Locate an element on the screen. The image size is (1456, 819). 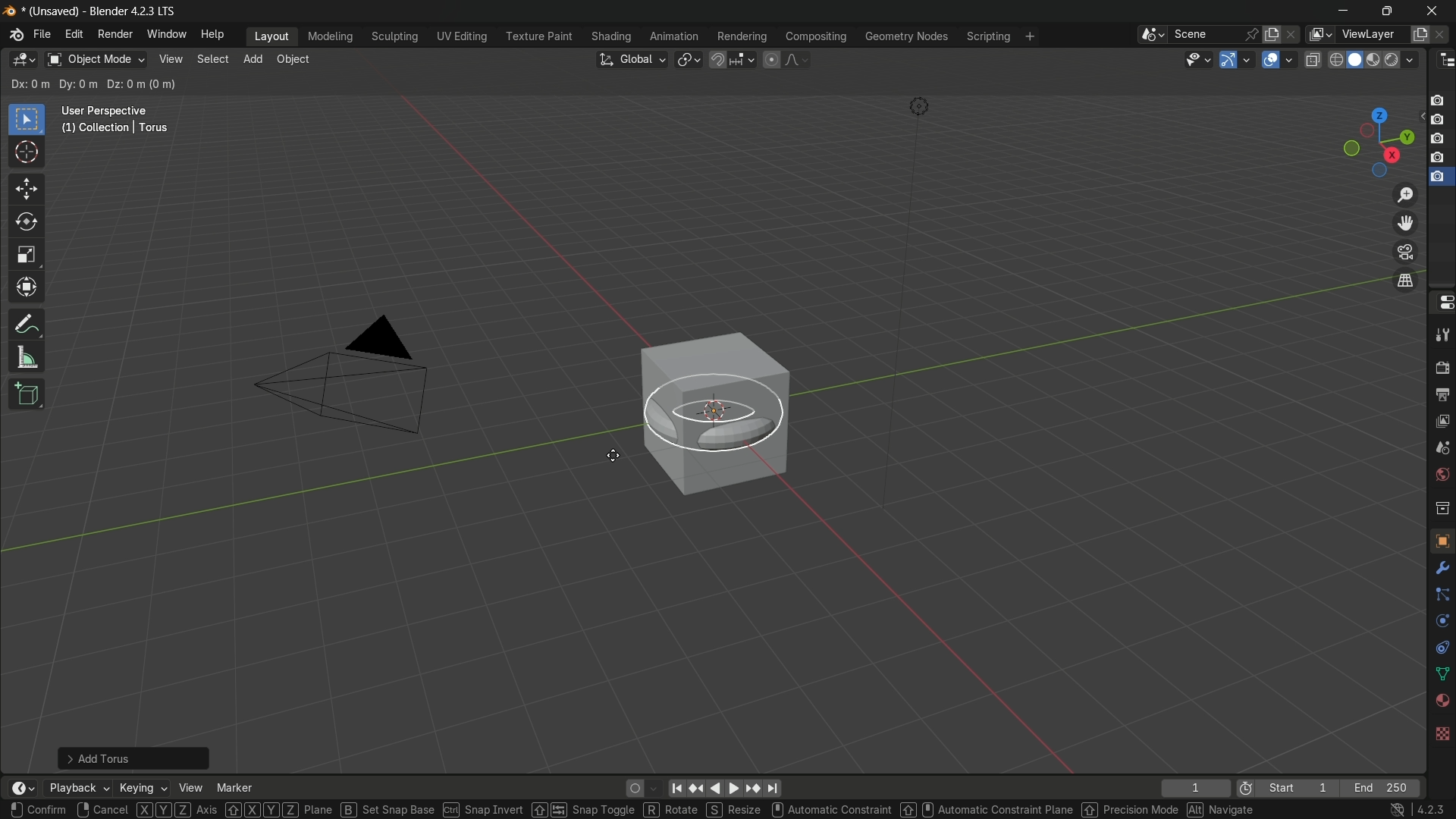
[XYZ] plane is located at coordinates (279, 810).